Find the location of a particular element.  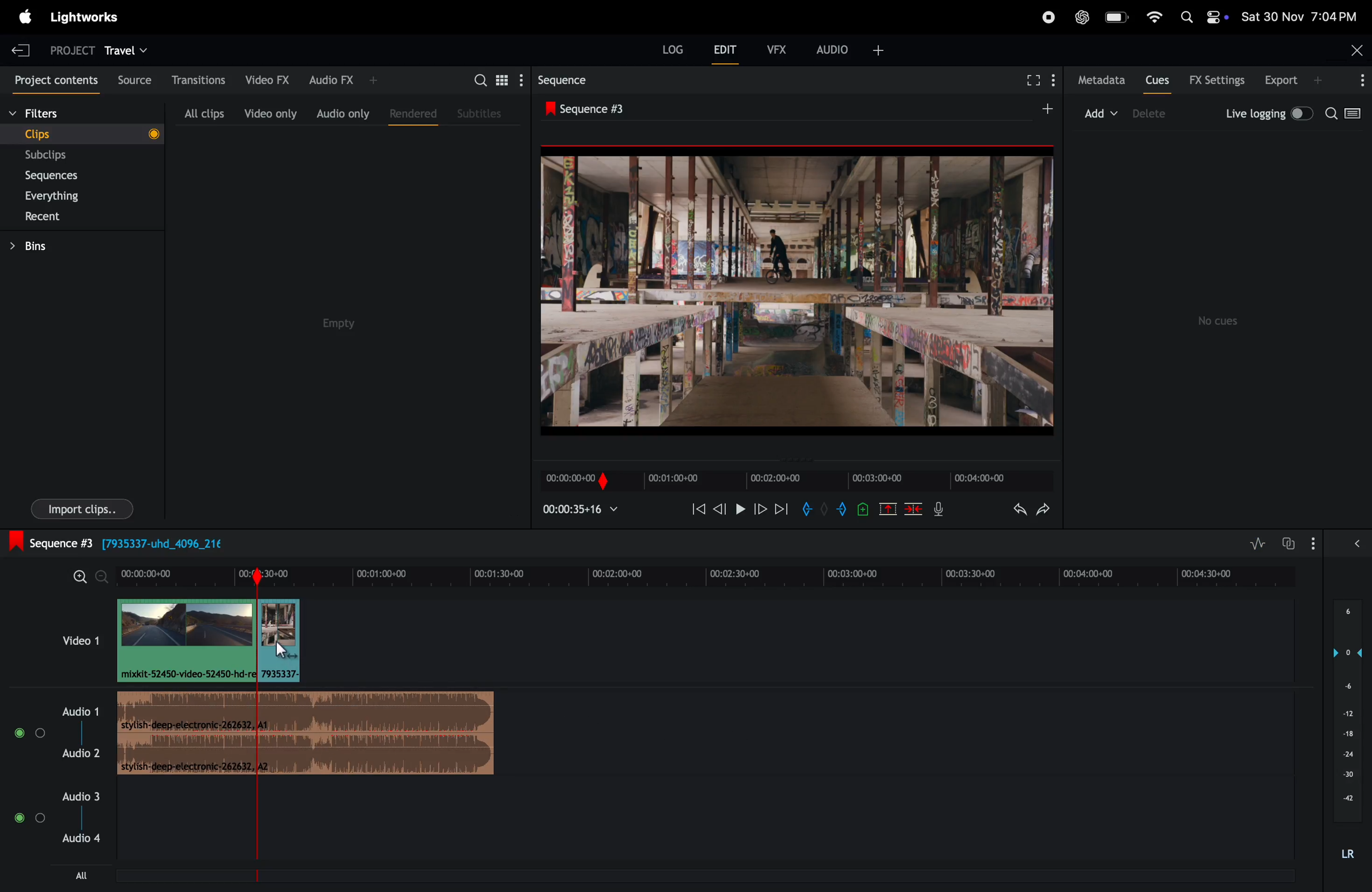

travel is located at coordinates (129, 49).